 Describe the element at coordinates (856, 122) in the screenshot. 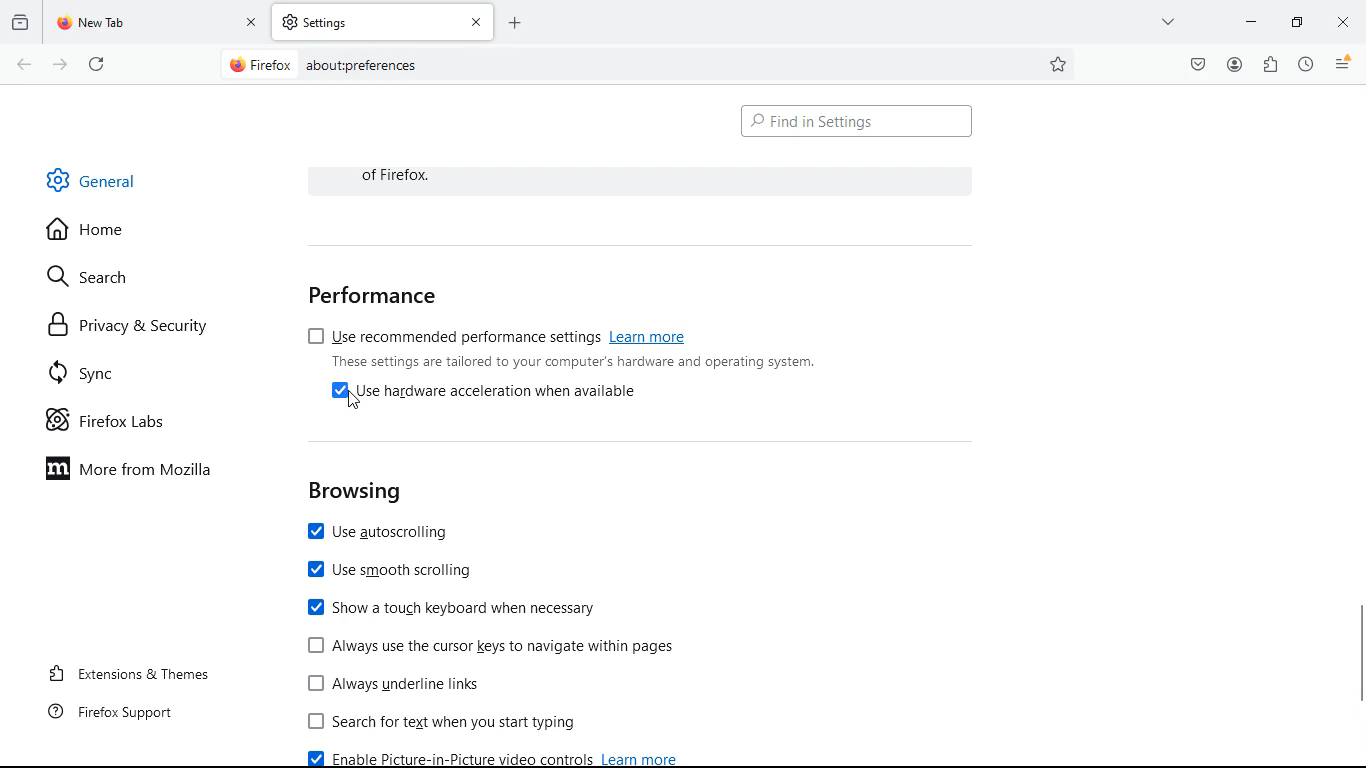

I see `find in settings` at that location.